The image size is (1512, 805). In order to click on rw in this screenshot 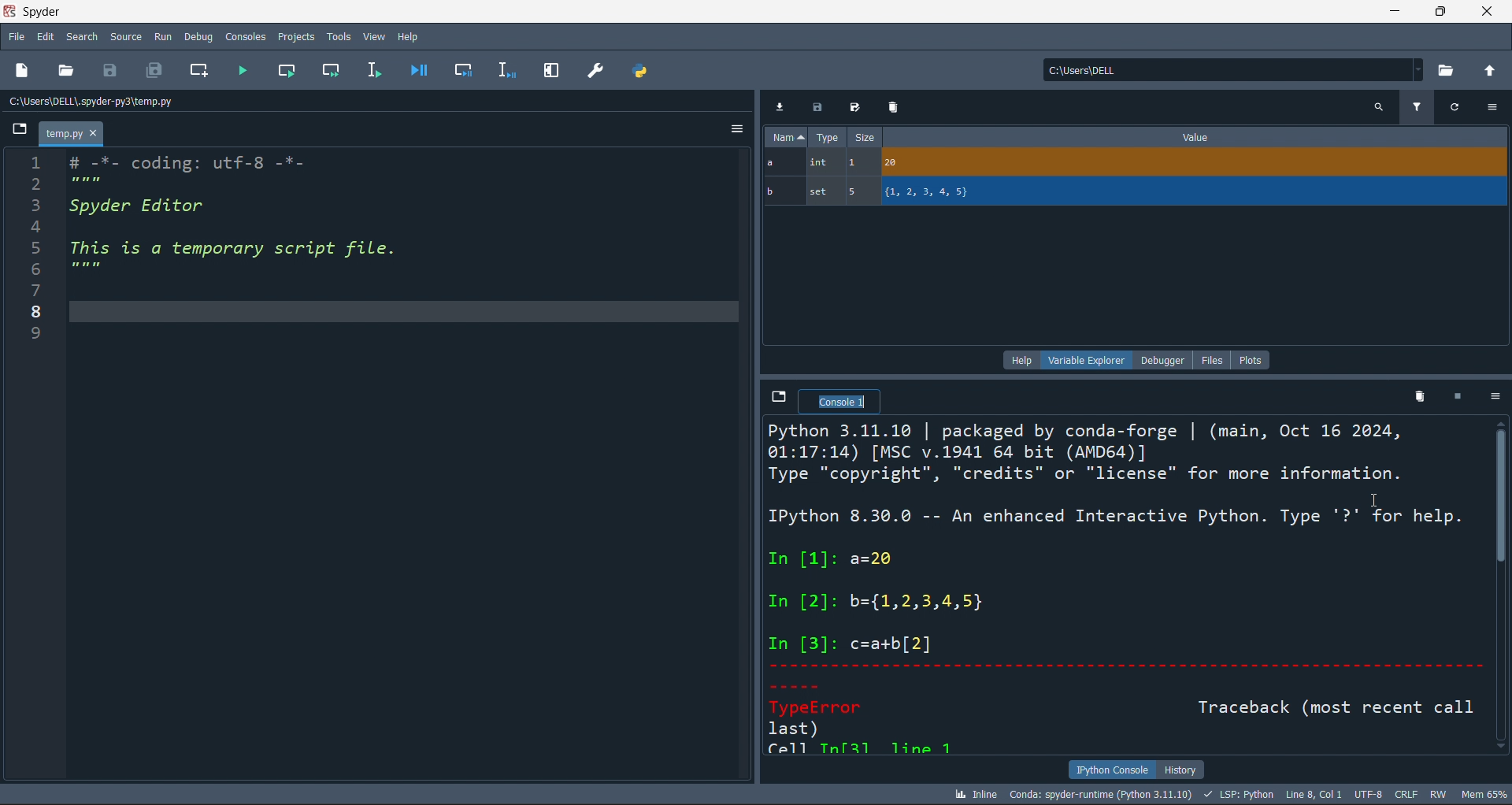, I will do `click(1437, 794)`.